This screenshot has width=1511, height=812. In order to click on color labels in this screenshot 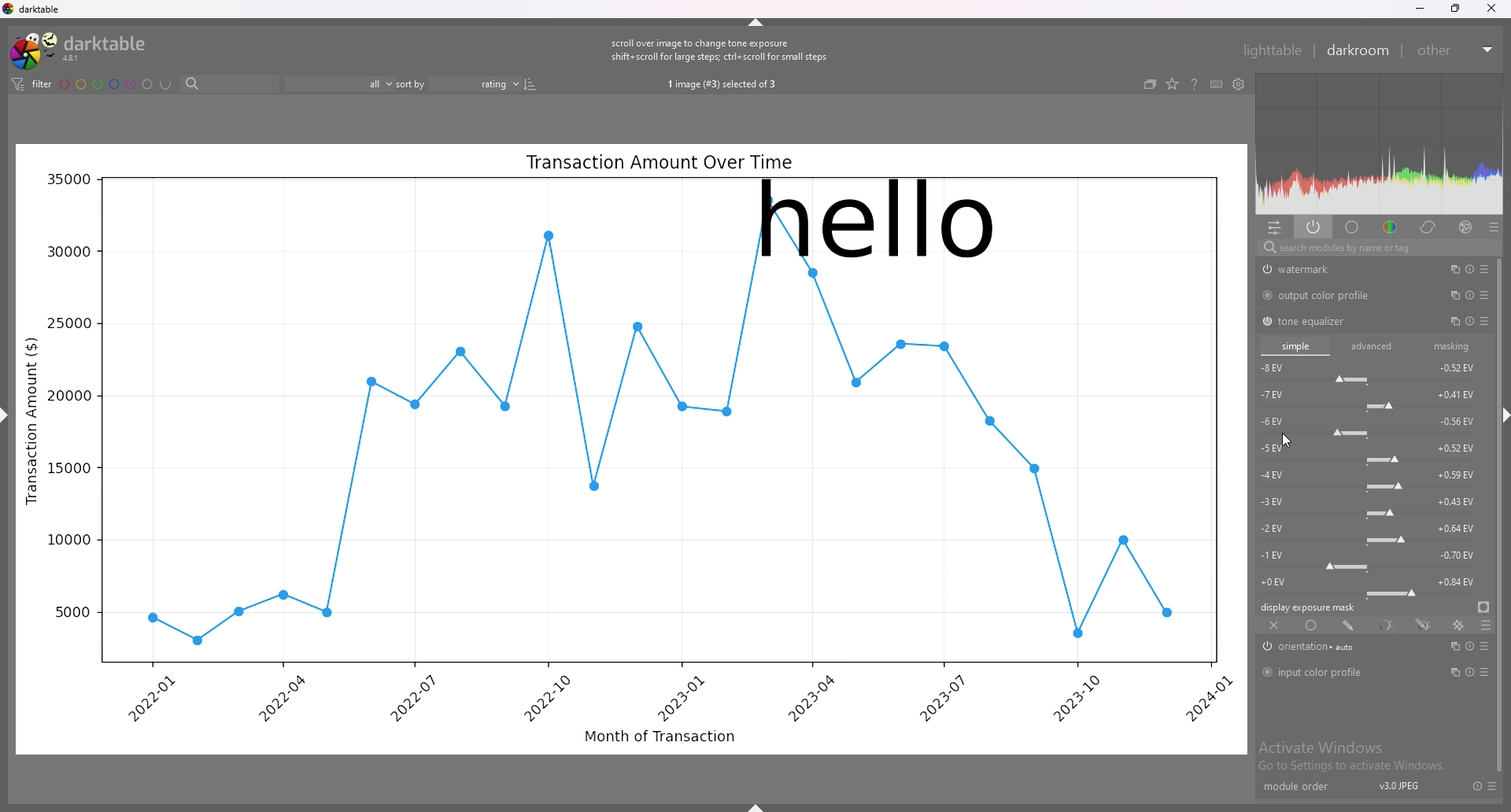, I will do `click(105, 85)`.